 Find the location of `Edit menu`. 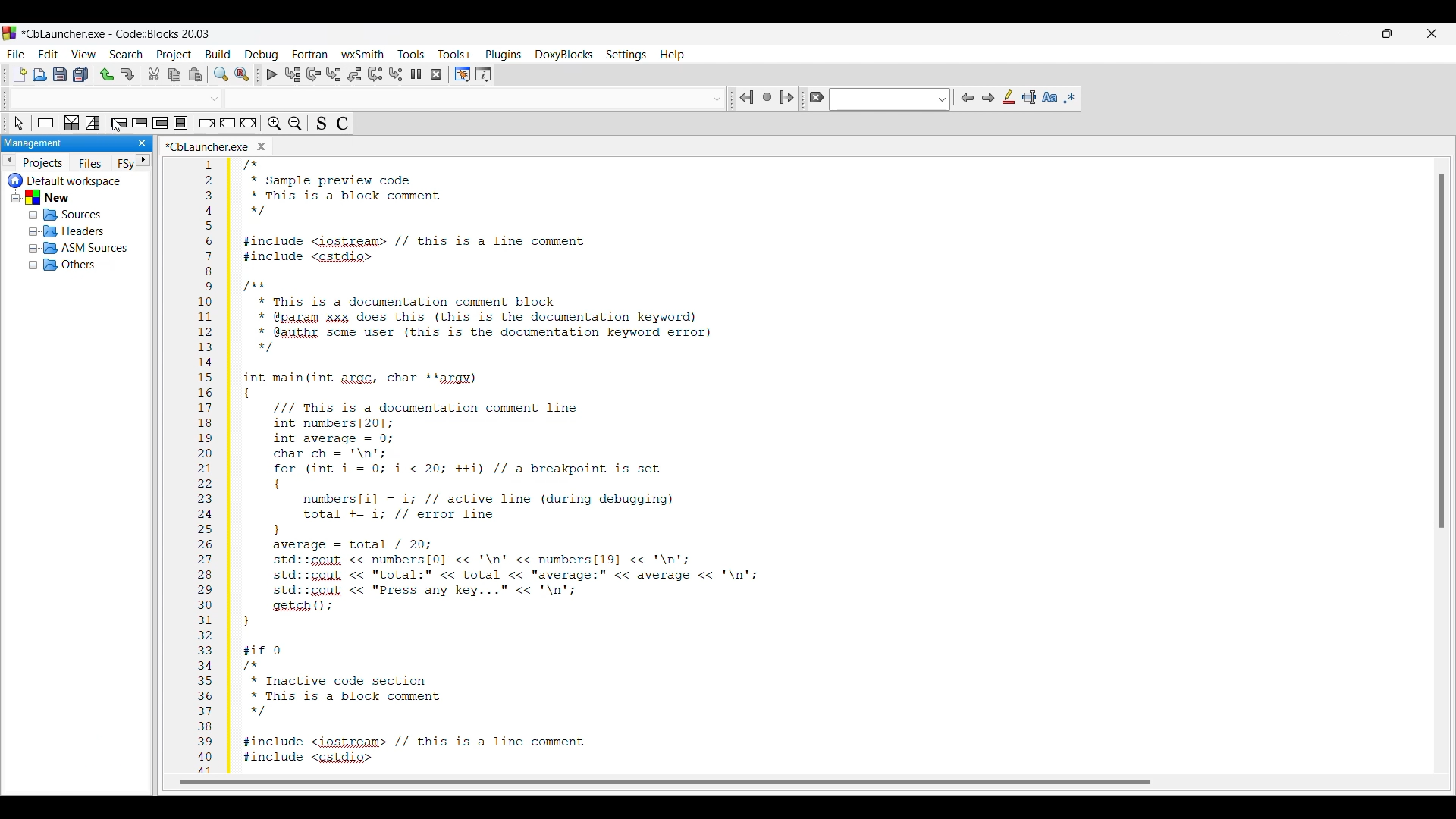

Edit menu is located at coordinates (49, 54).